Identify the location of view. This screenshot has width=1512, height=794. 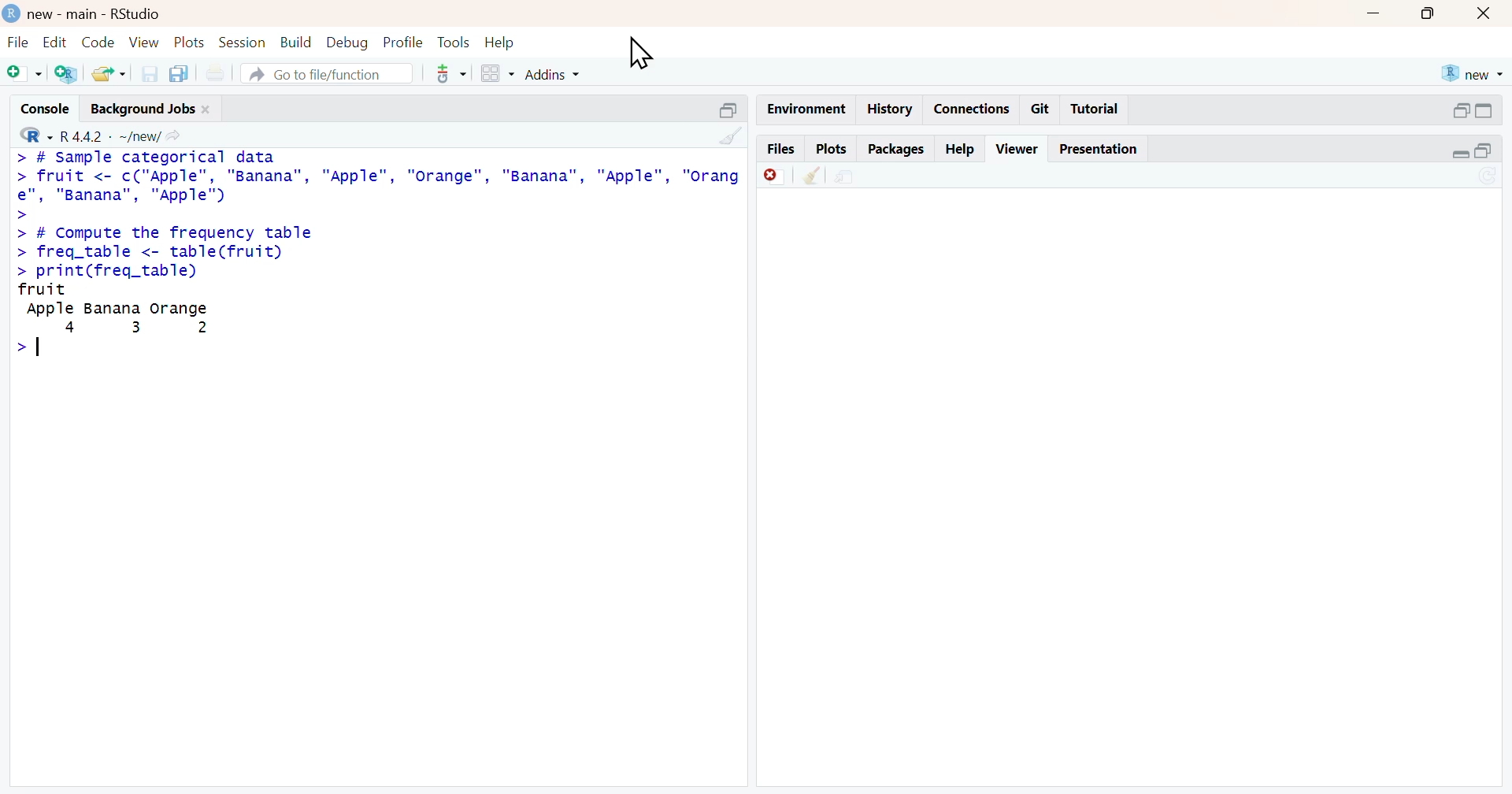
(145, 43).